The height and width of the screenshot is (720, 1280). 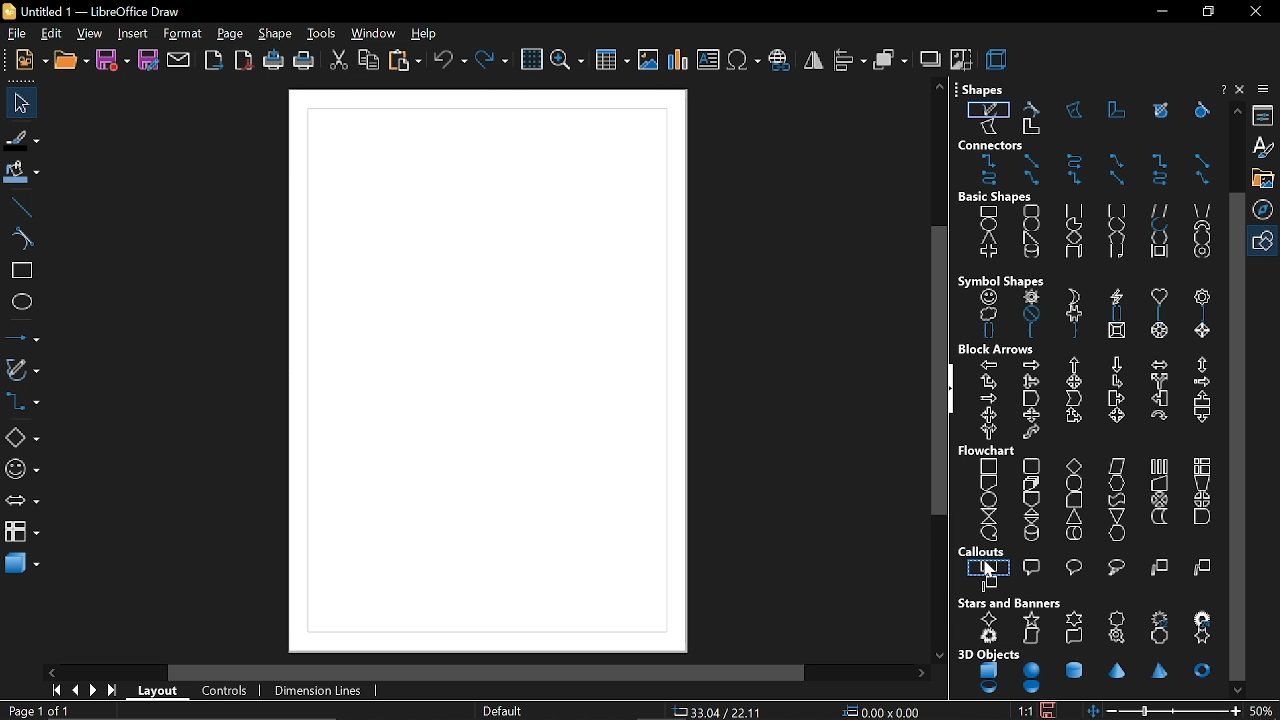 I want to click on pentagon, so click(x=1116, y=238).